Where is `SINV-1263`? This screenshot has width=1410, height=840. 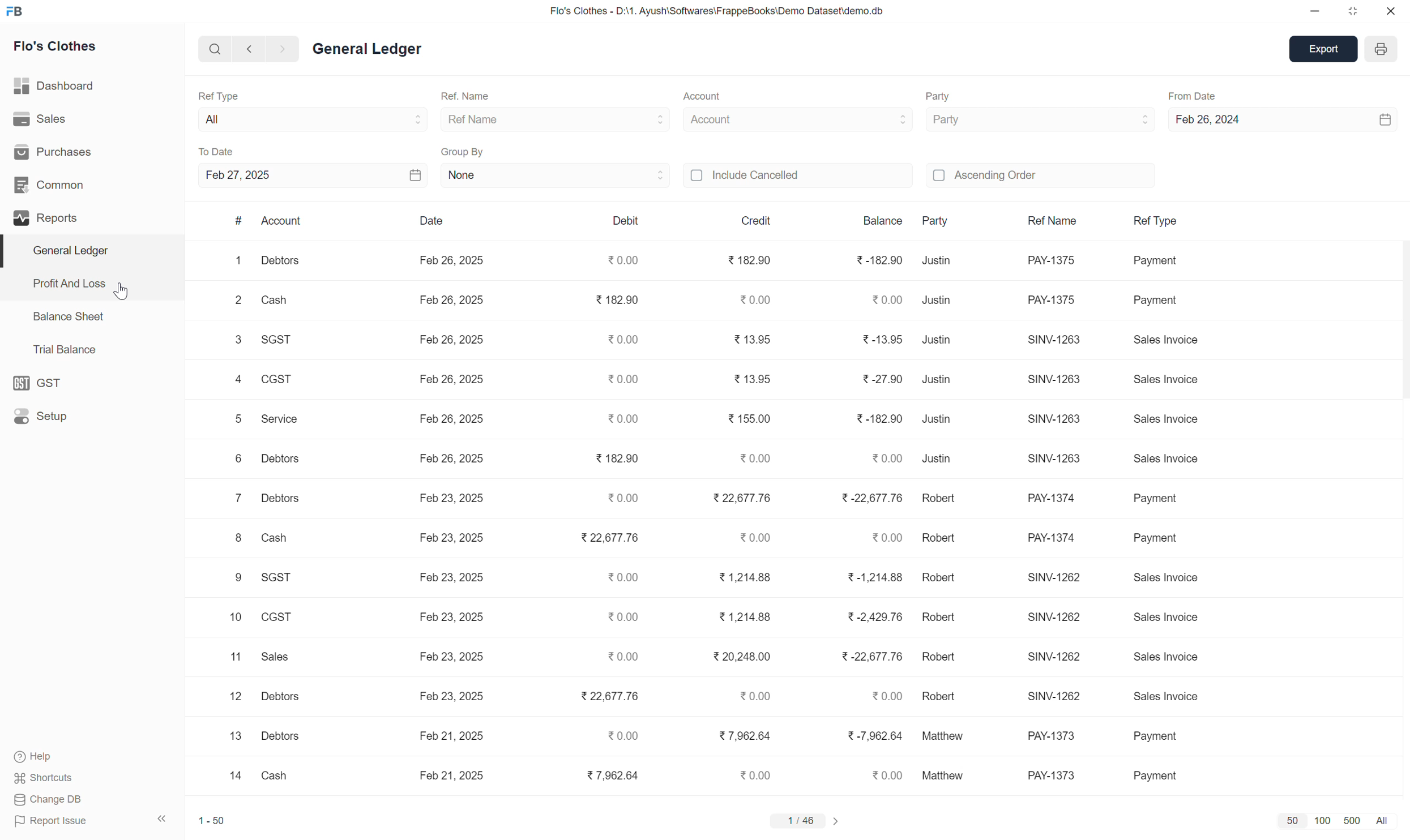
SINV-1263 is located at coordinates (1054, 340).